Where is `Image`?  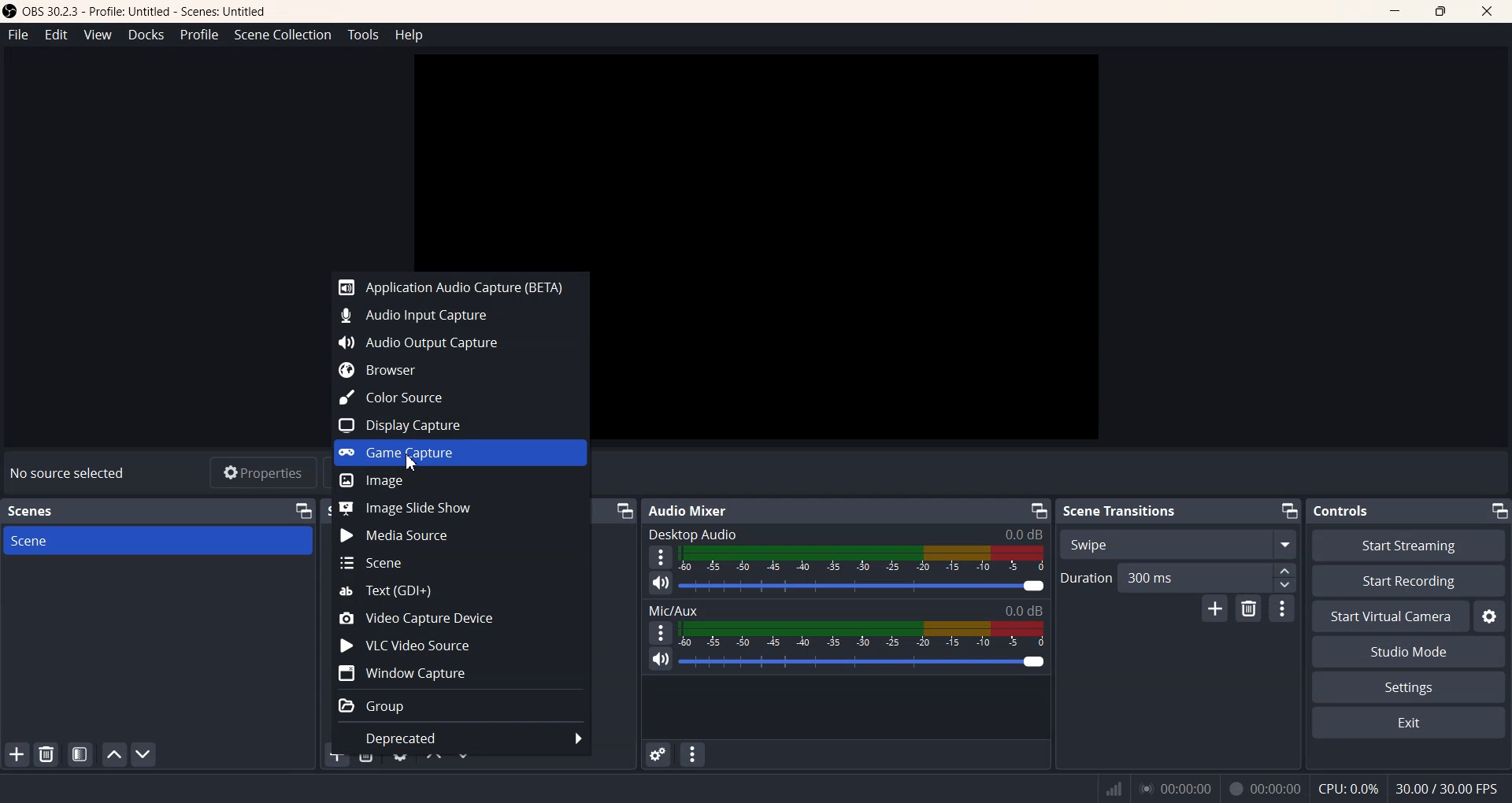
Image is located at coordinates (460, 481).